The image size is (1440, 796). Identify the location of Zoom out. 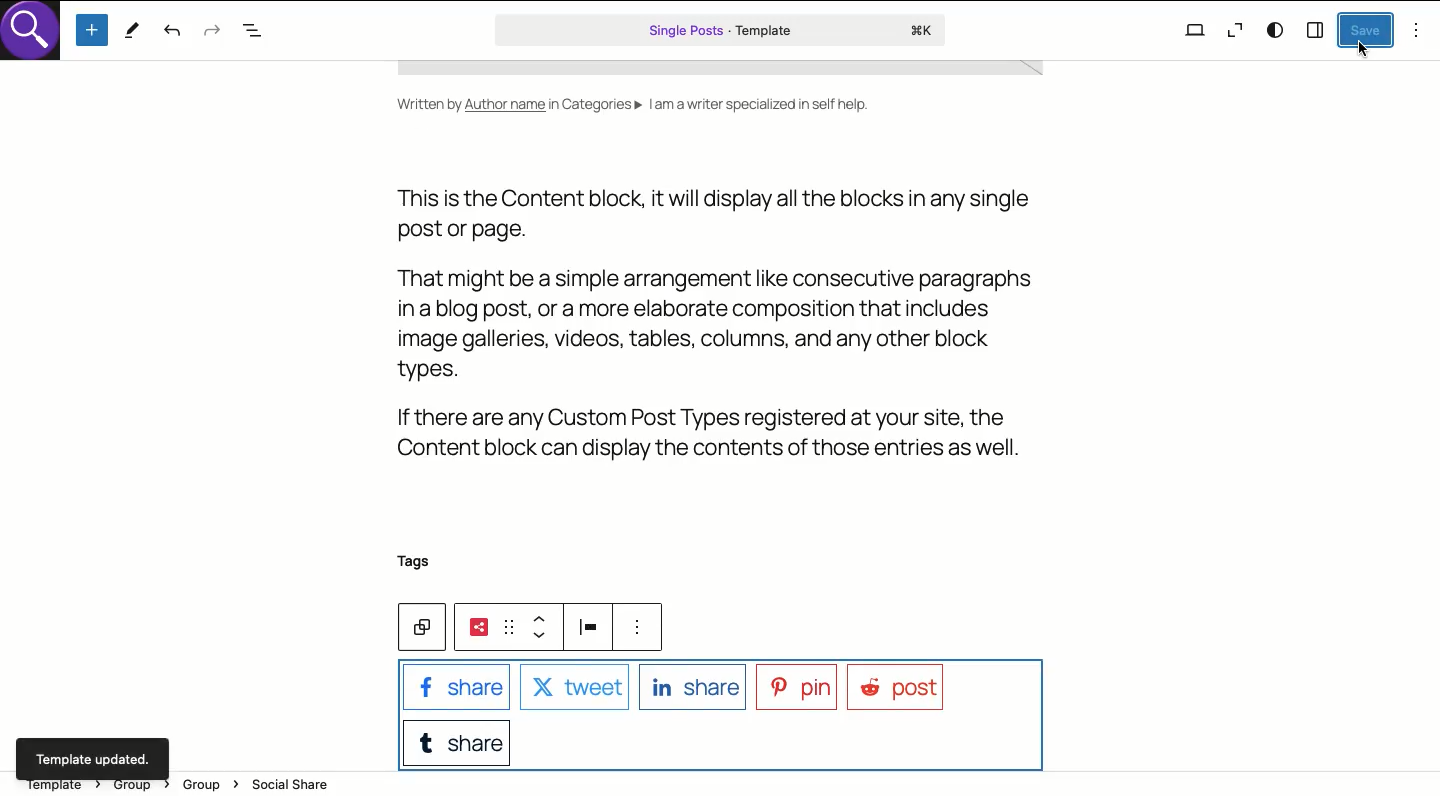
(1233, 33).